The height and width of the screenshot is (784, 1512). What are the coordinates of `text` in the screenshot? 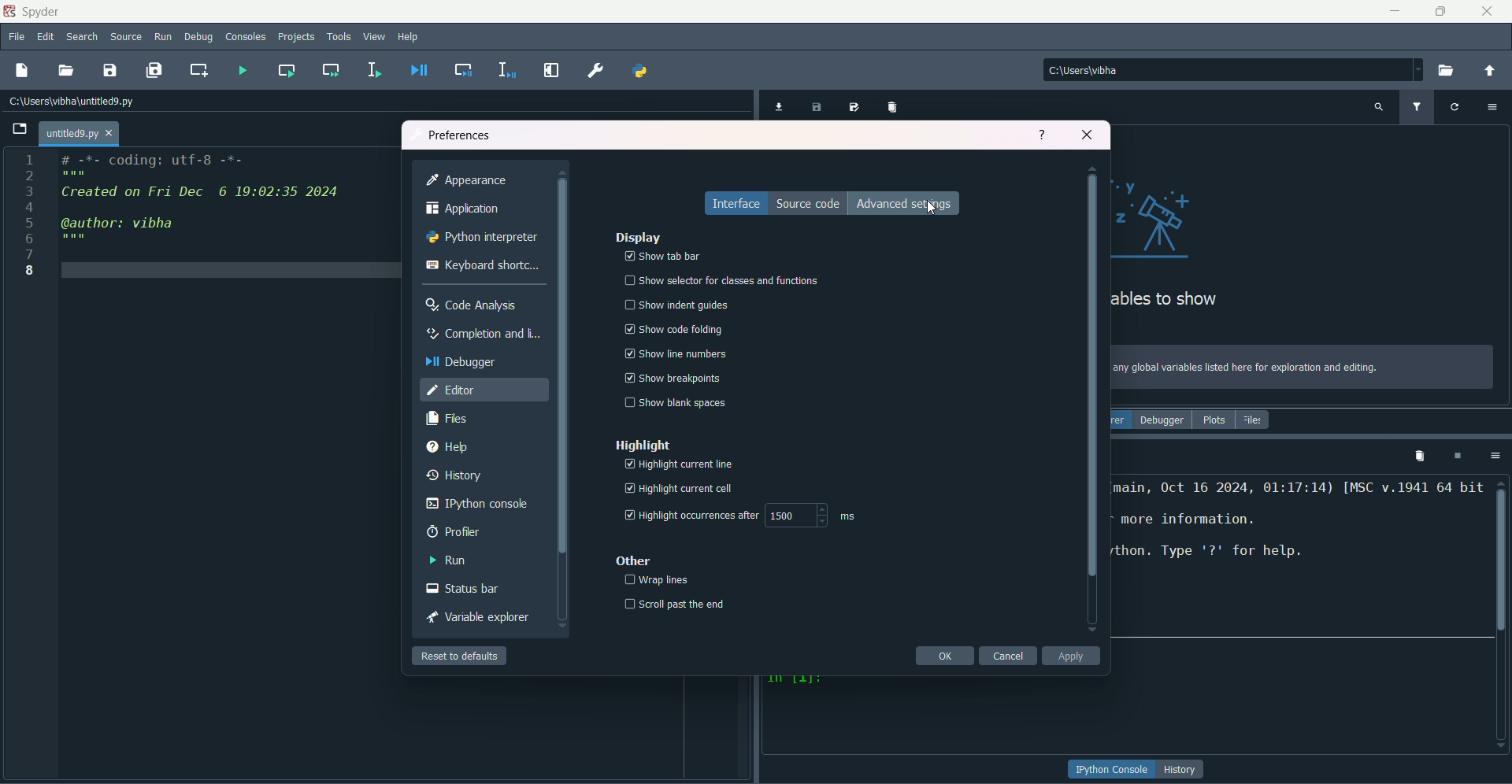 It's located at (1247, 368).